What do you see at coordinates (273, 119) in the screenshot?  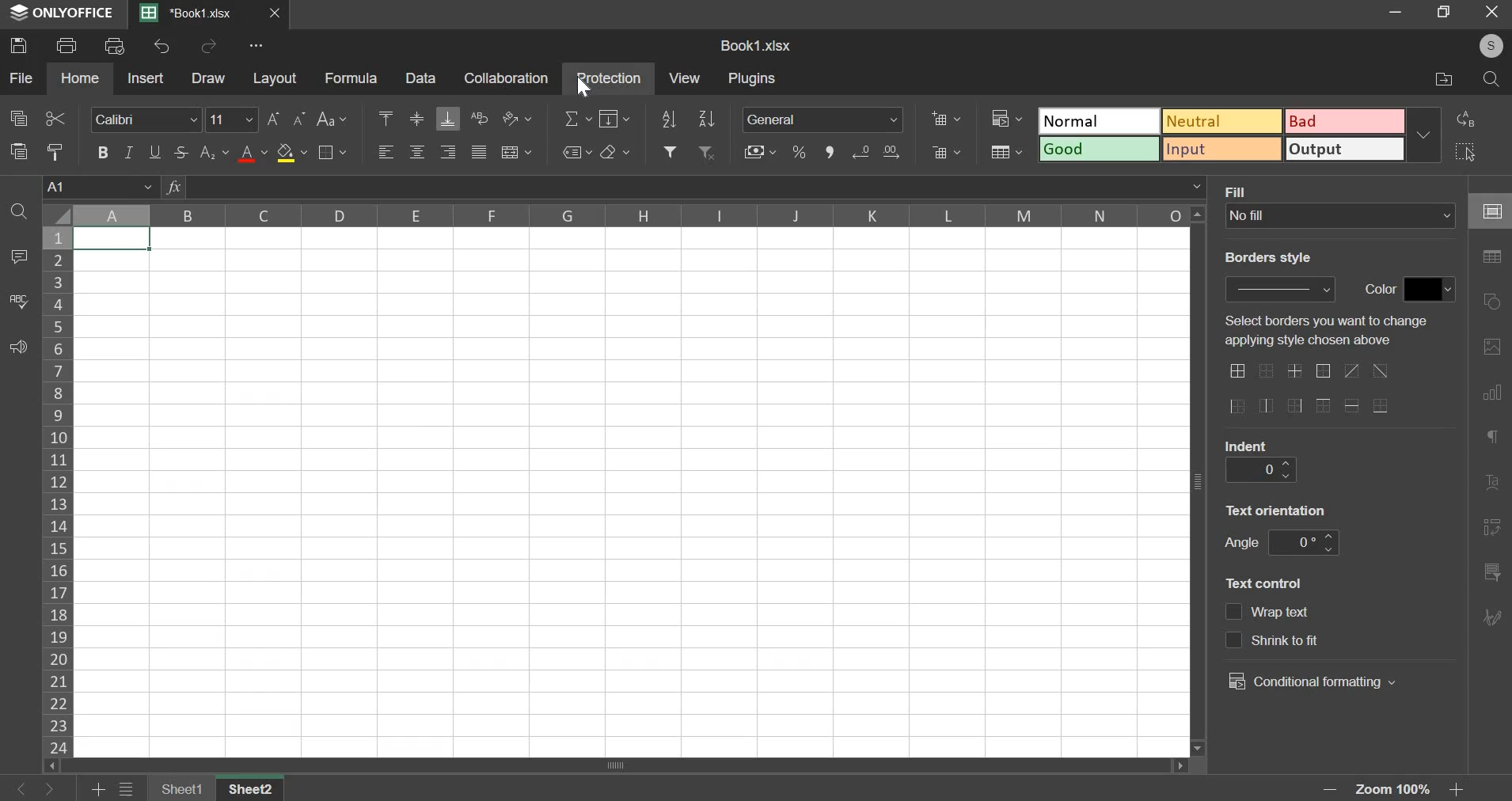 I see `change font size` at bounding box center [273, 119].